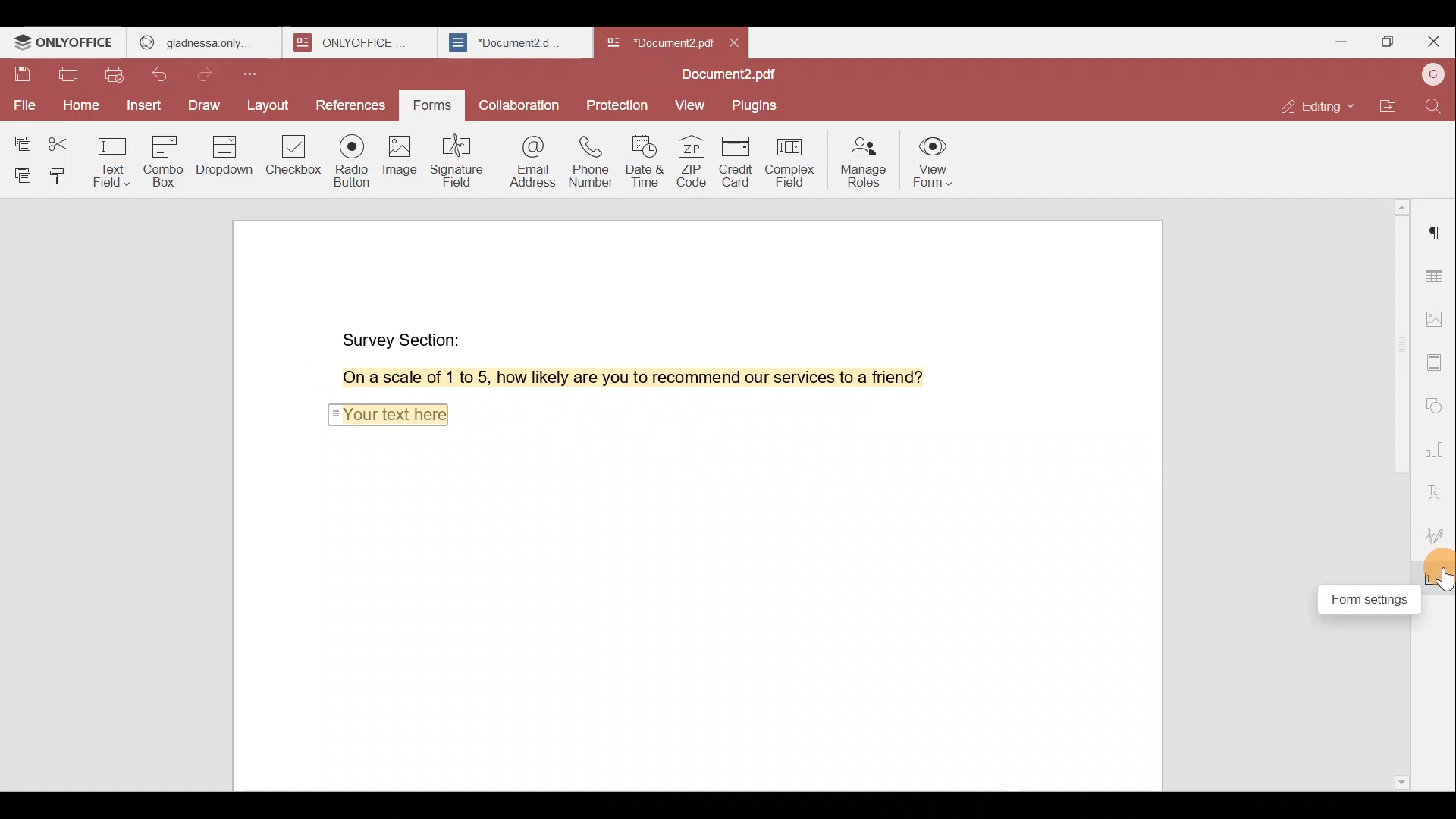 The image size is (1456, 819). I want to click on Find, so click(1436, 106).